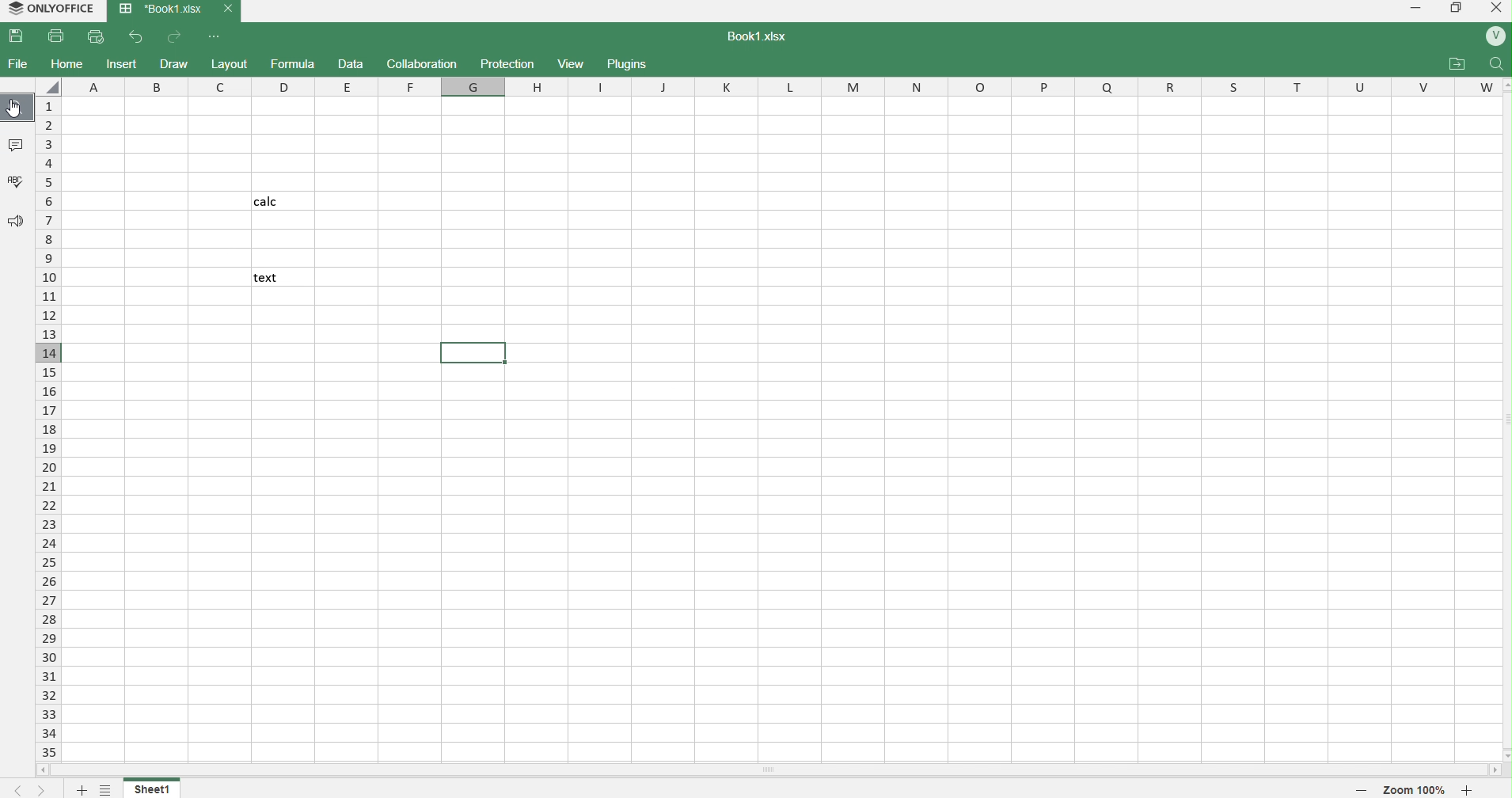  Describe the element at coordinates (158, 11) in the screenshot. I see `book1.xlsx` at that location.